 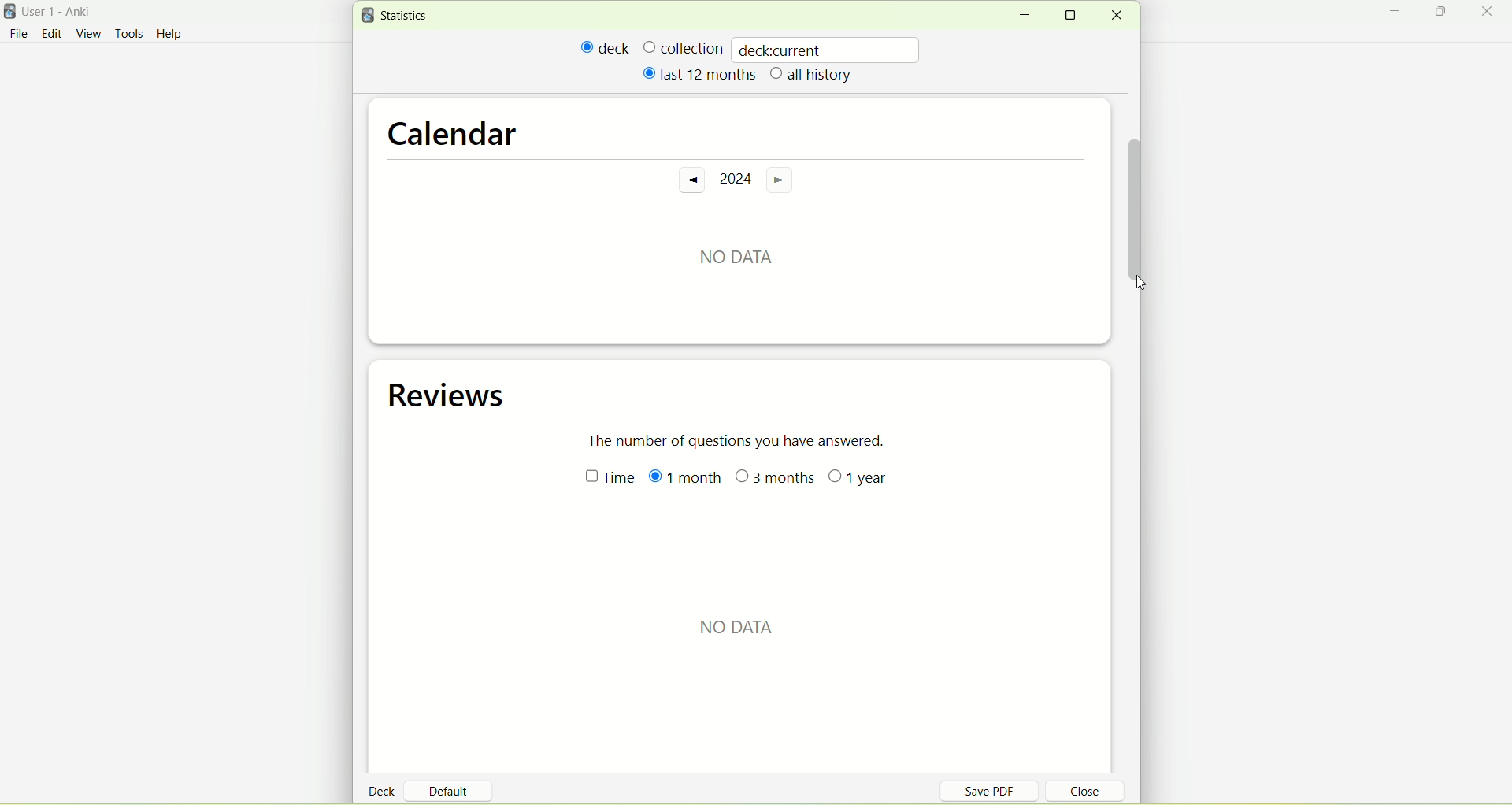 I want to click on  month, so click(x=683, y=479).